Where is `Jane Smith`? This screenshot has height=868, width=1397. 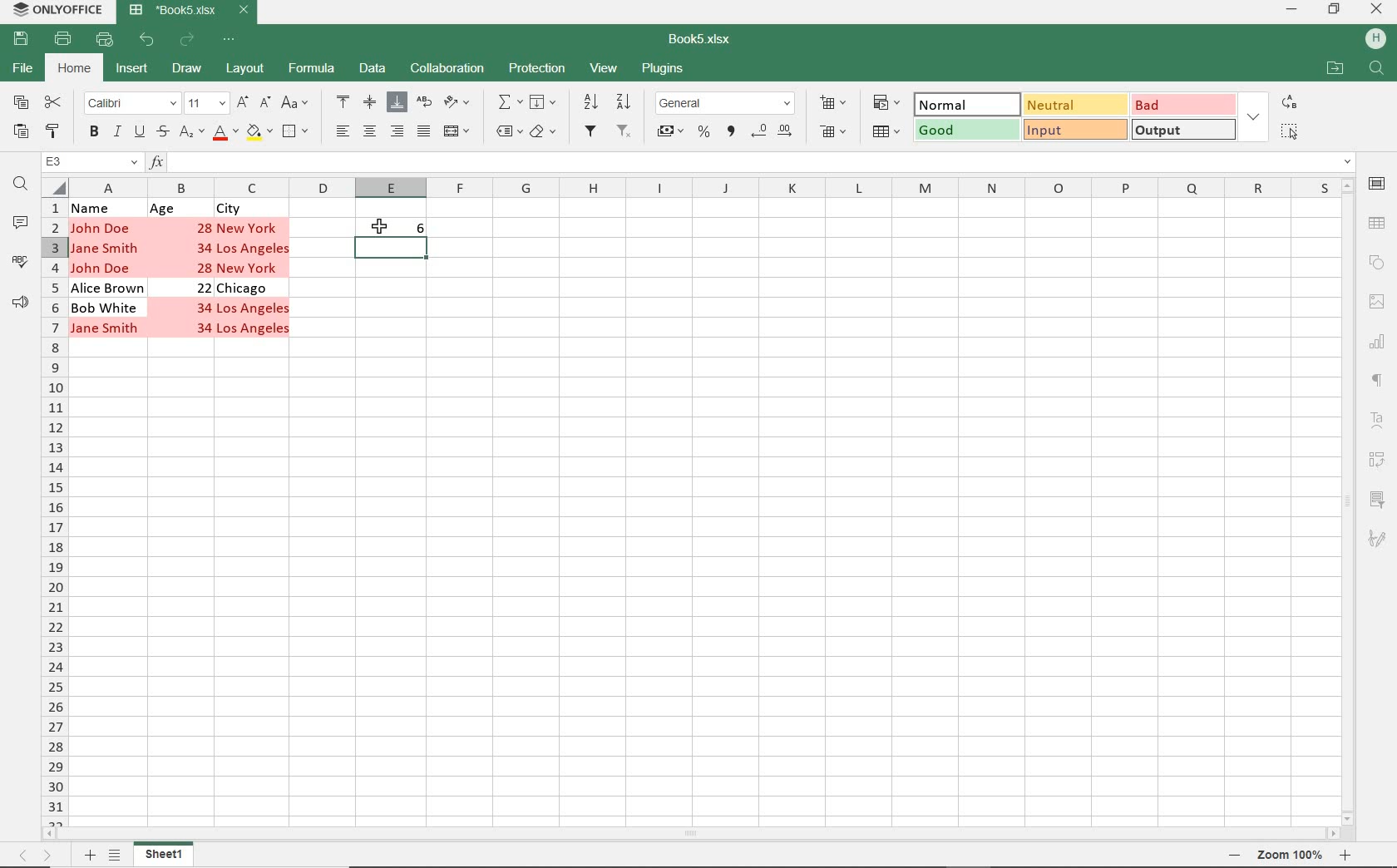 Jane Smith is located at coordinates (104, 330).